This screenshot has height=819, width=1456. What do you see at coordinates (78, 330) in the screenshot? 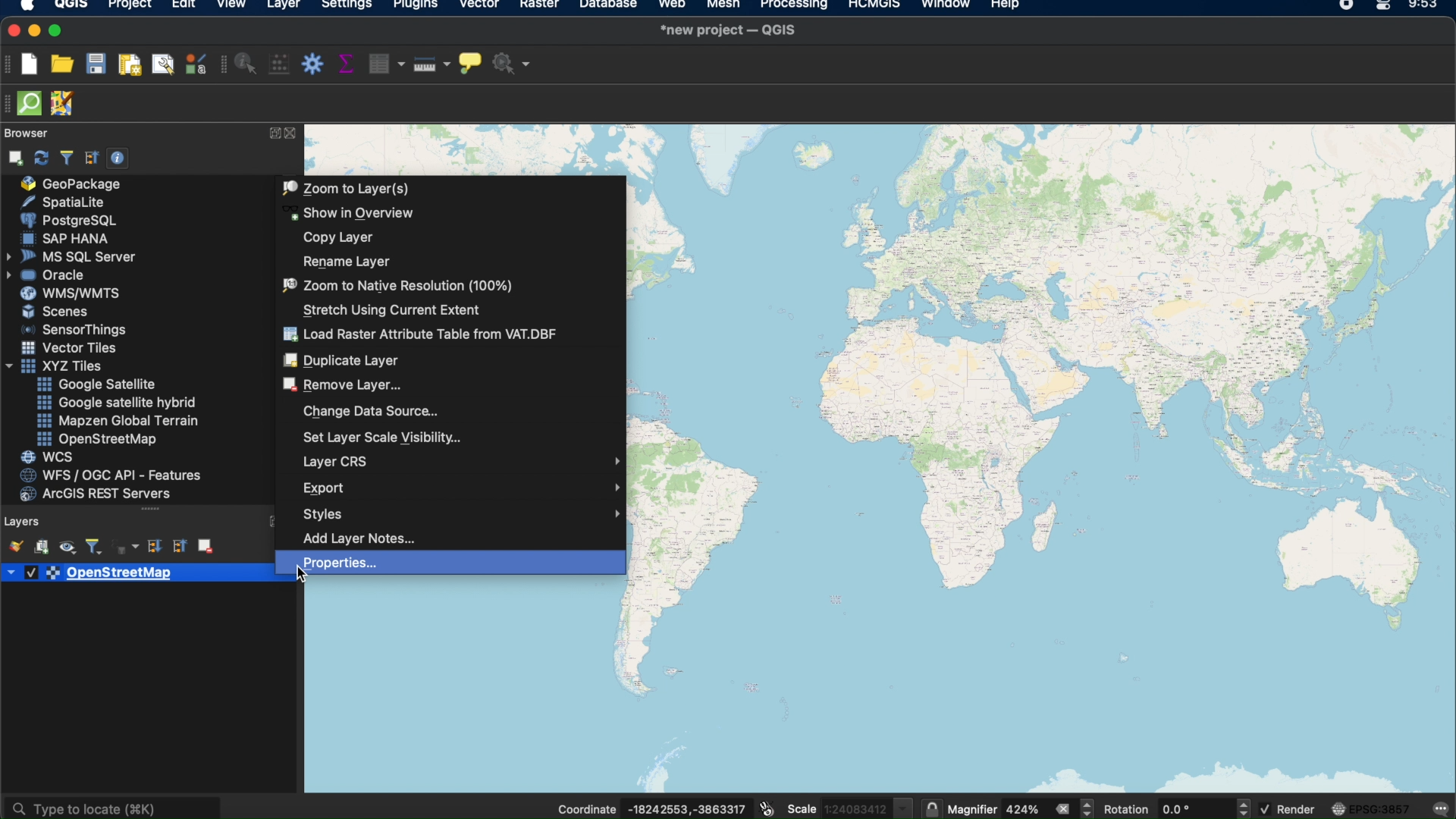
I see `sensor things` at bounding box center [78, 330].